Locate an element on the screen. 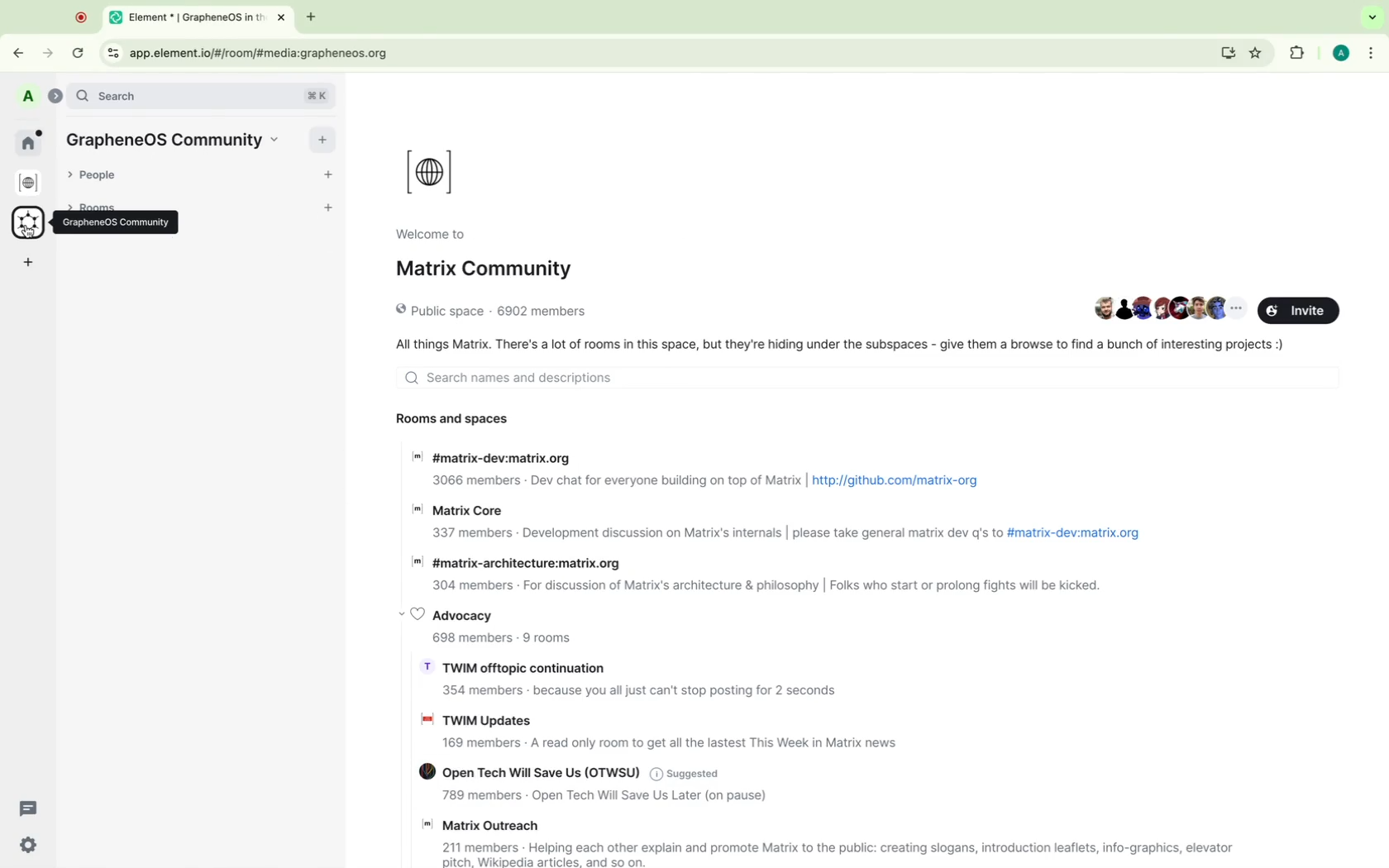 The height and width of the screenshot is (868, 1389). All things matrix. There's a lot of rooms in this space but they are hiding under the subspaces give them a browse to find a bunch of interesting projects is located at coordinates (838, 346).